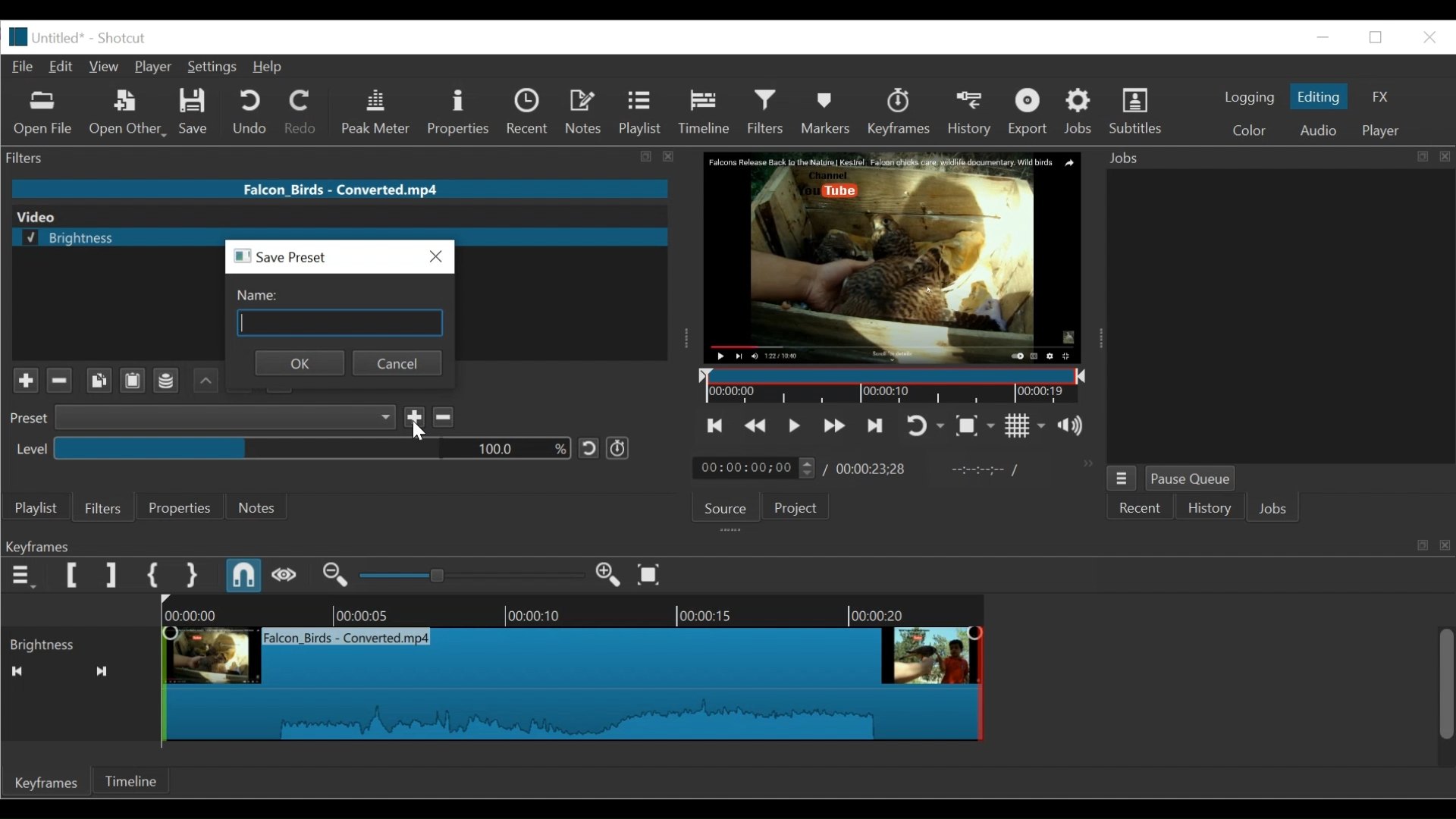 The width and height of the screenshot is (1456, 819). I want to click on Current duration, so click(757, 468).